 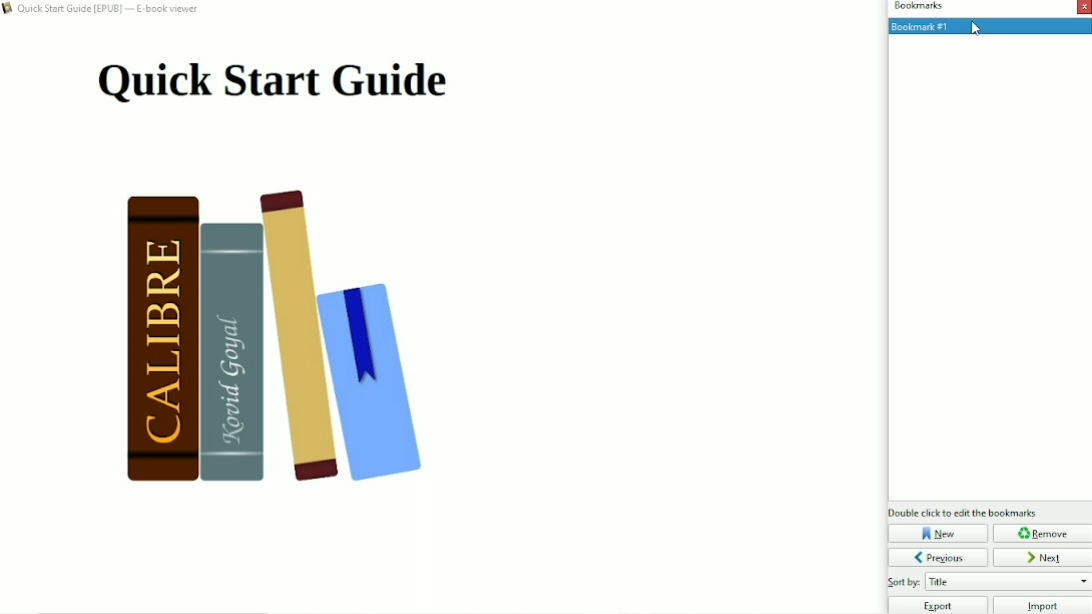 I want to click on Remove, so click(x=1044, y=534).